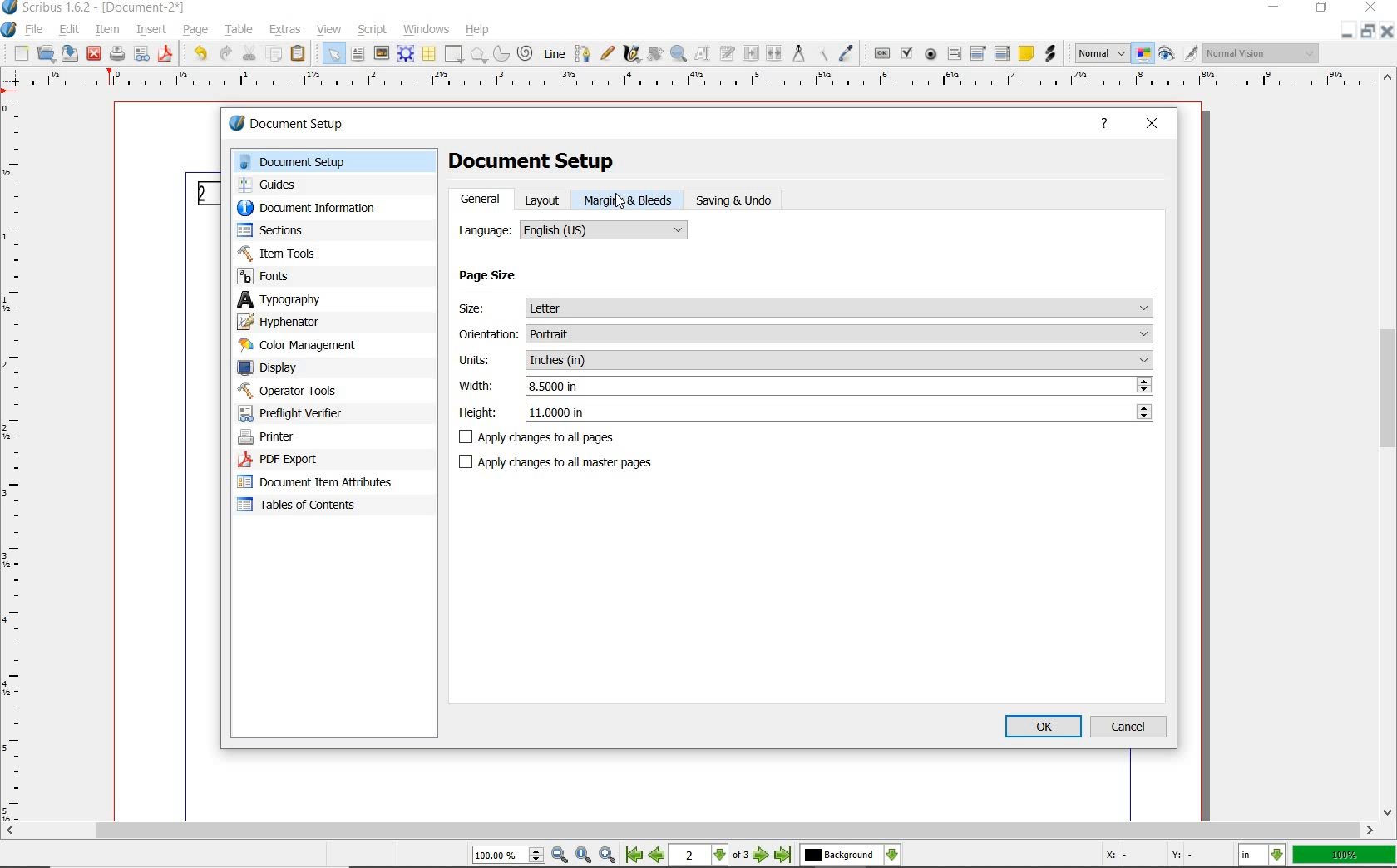 The width and height of the screenshot is (1397, 868). What do you see at coordinates (743, 201) in the screenshot?
I see `saving & undo` at bounding box center [743, 201].